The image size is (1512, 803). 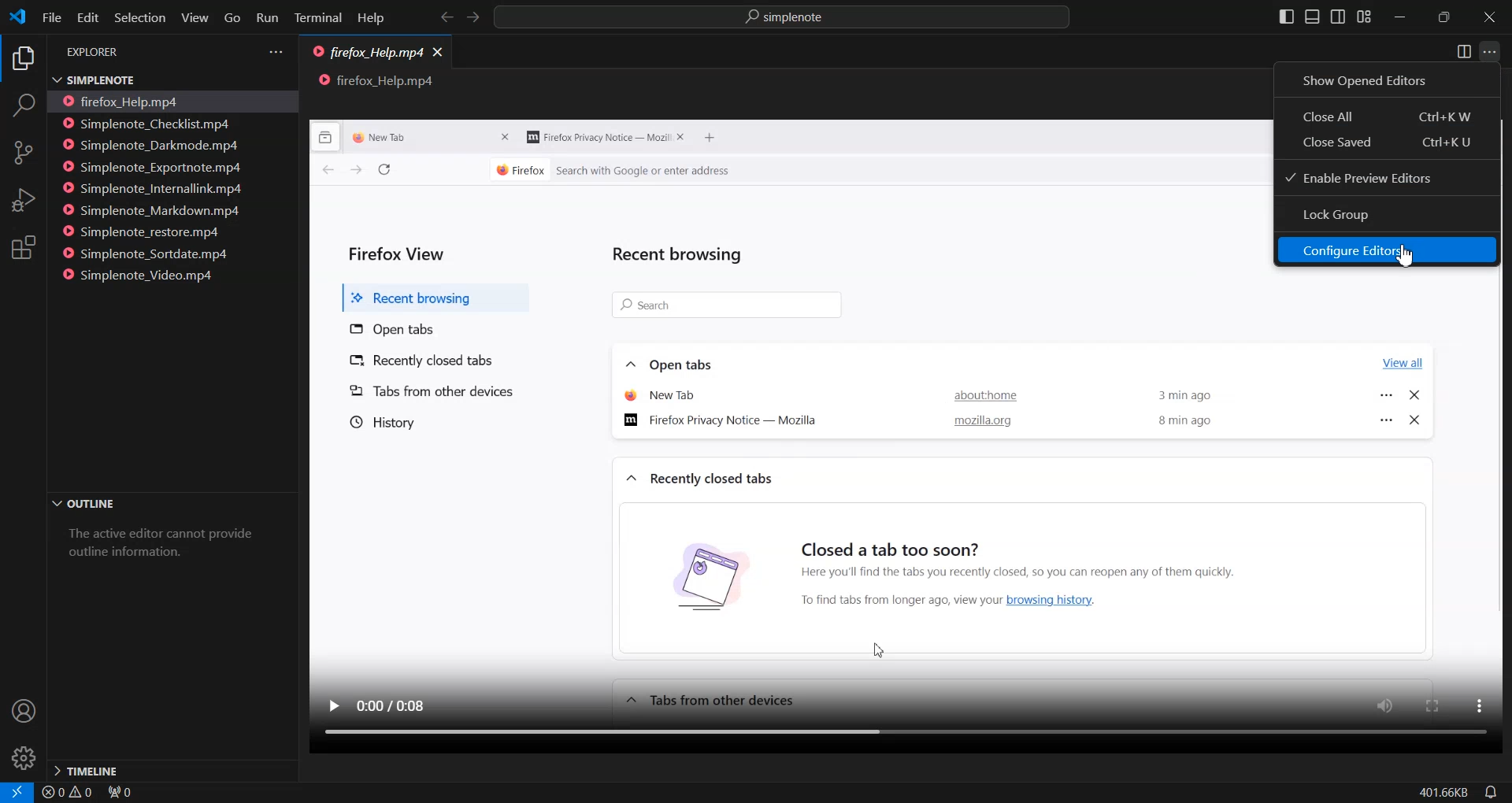 What do you see at coordinates (1442, 793) in the screenshot?
I see `401.66KB` at bounding box center [1442, 793].